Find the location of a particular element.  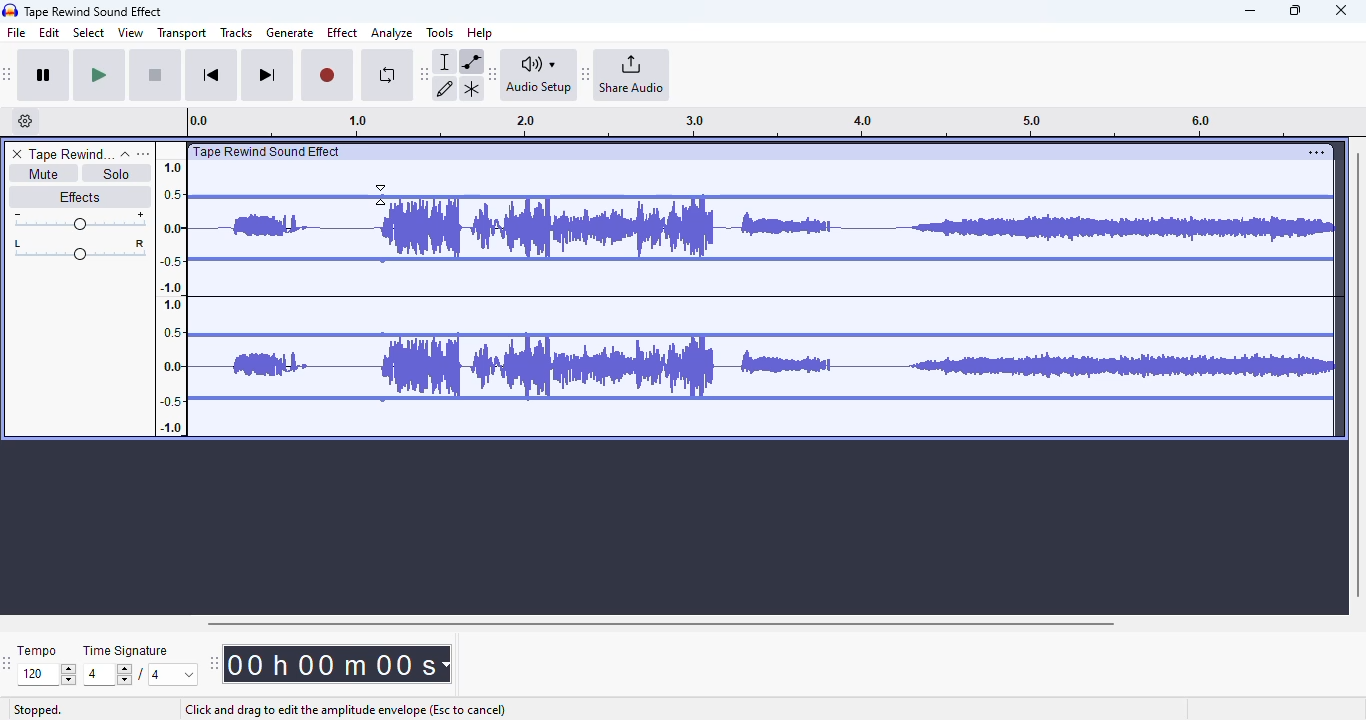

skip to start is located at coordinates (210, 77).